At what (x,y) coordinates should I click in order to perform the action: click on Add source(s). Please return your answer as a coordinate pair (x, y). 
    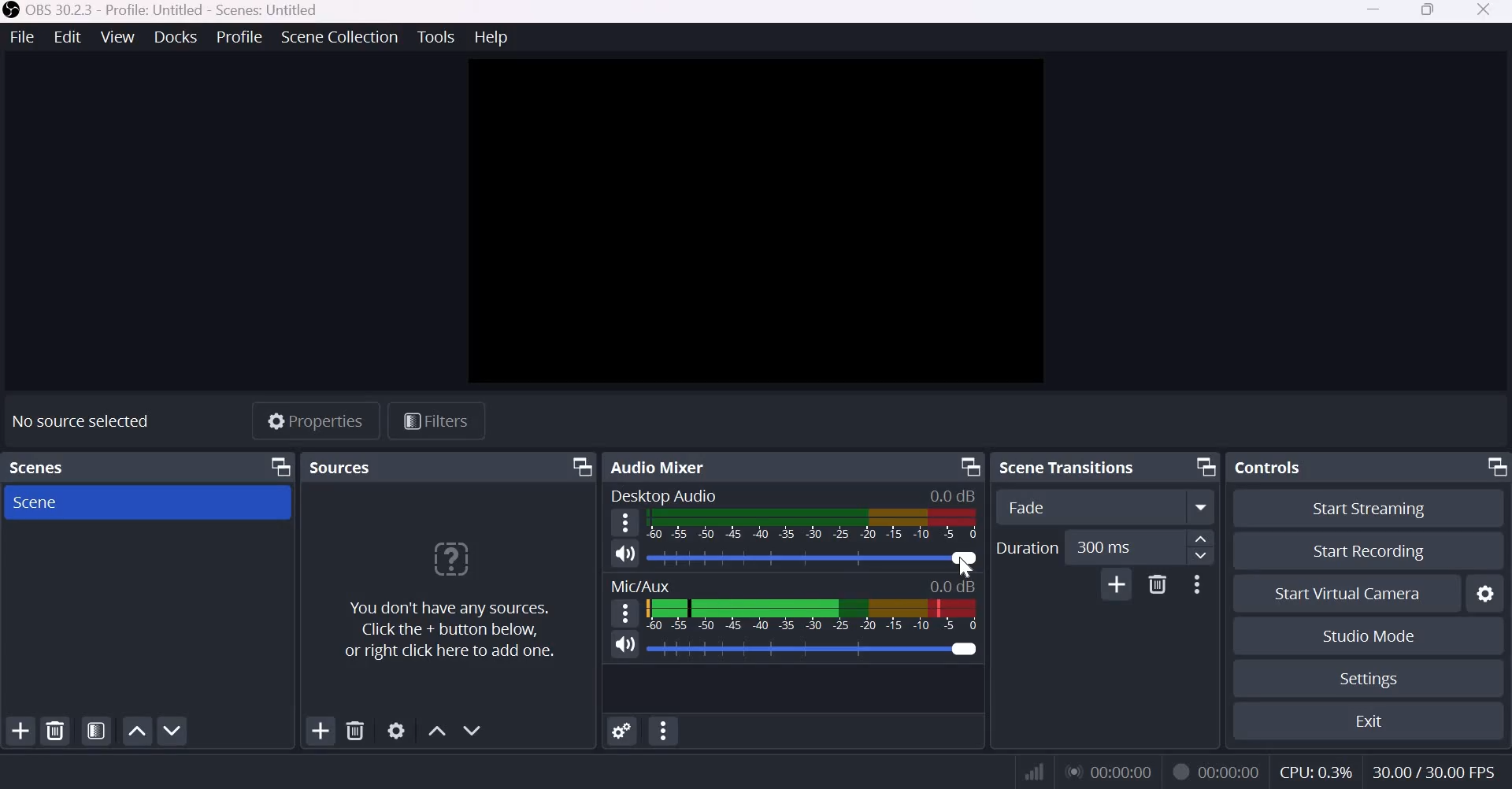
    Looking at the image, I should click on (321, 732).